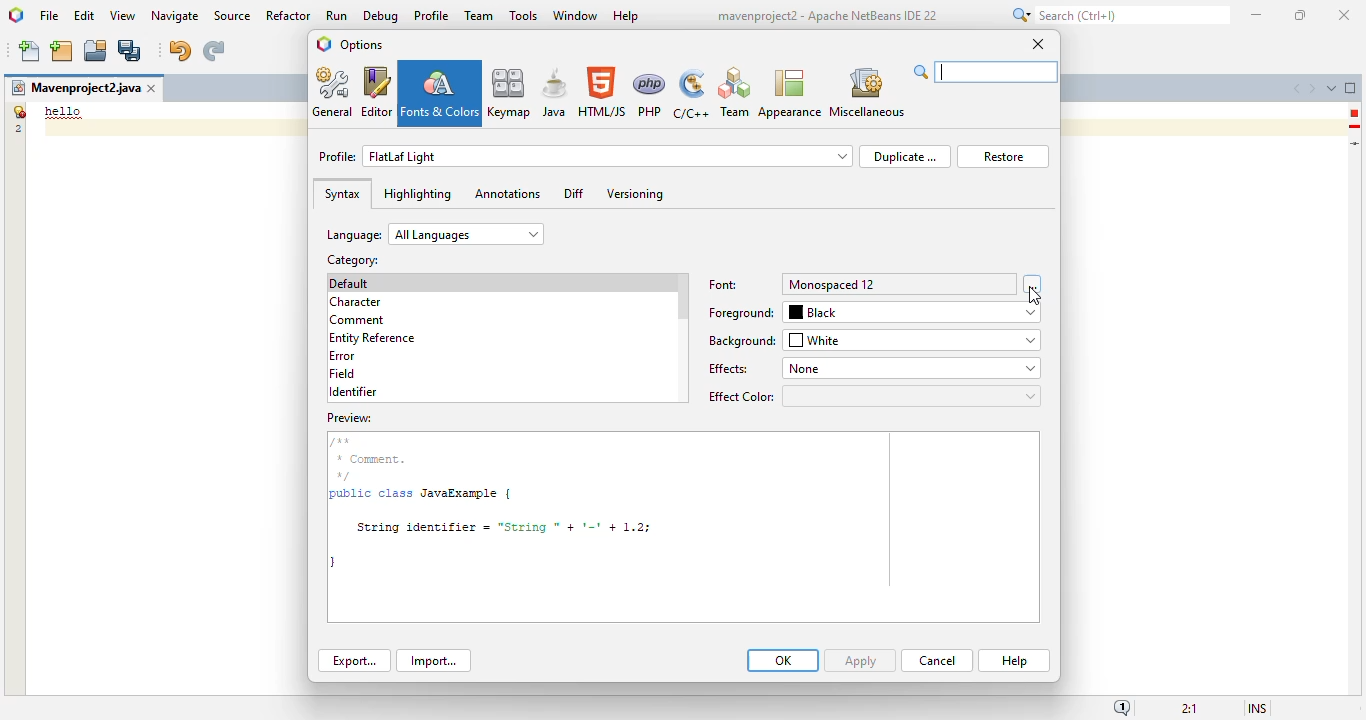 This screenshot has height=720, width=1366. Describe the element at coordinates (1299, 15) in the screenshot. I see `maximize` at that location.